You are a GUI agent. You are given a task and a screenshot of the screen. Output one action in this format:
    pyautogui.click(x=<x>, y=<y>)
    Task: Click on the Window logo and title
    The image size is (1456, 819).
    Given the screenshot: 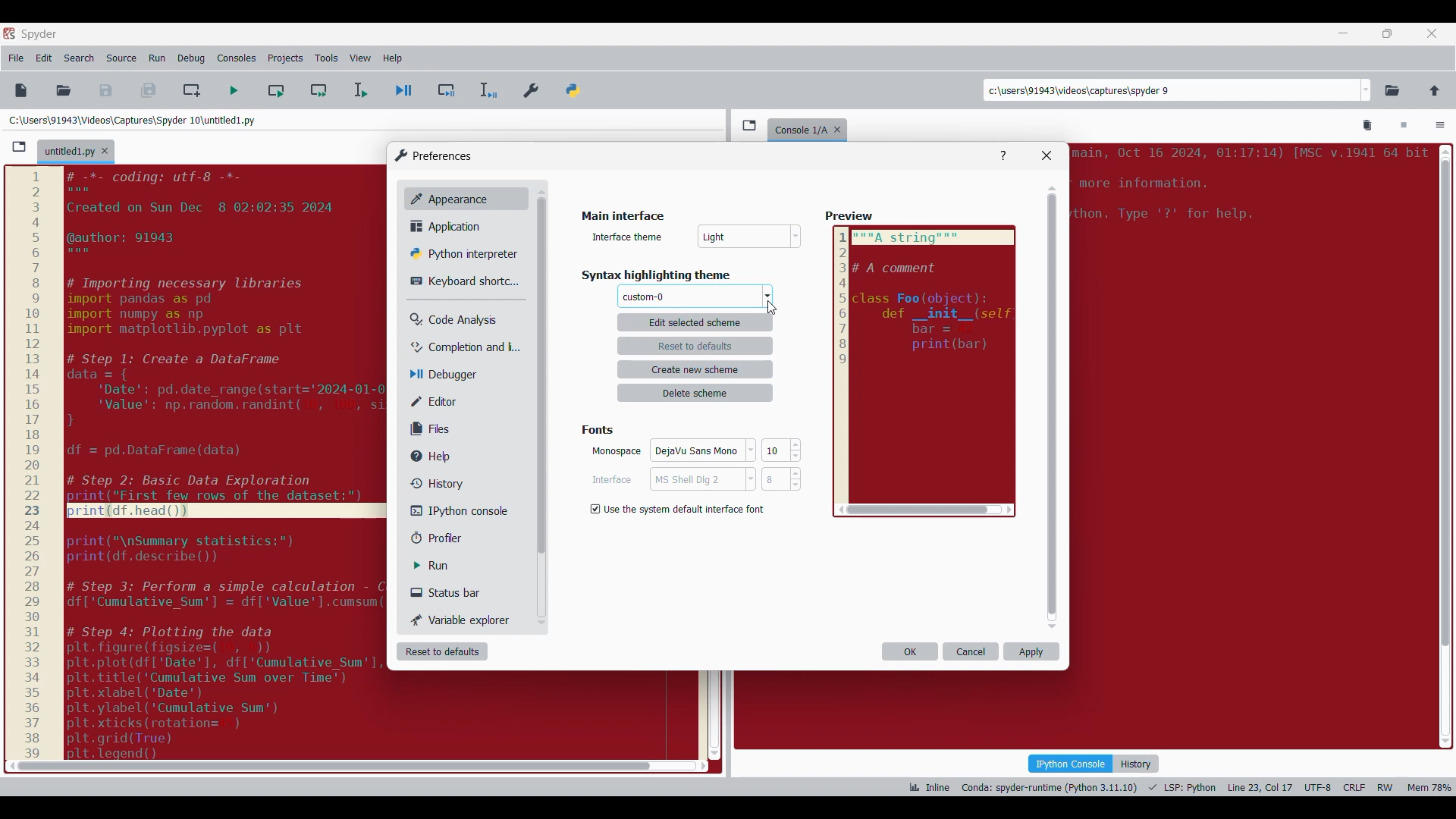 What is the action you would take?
    pyautogui.click(x=434, y=155)
    